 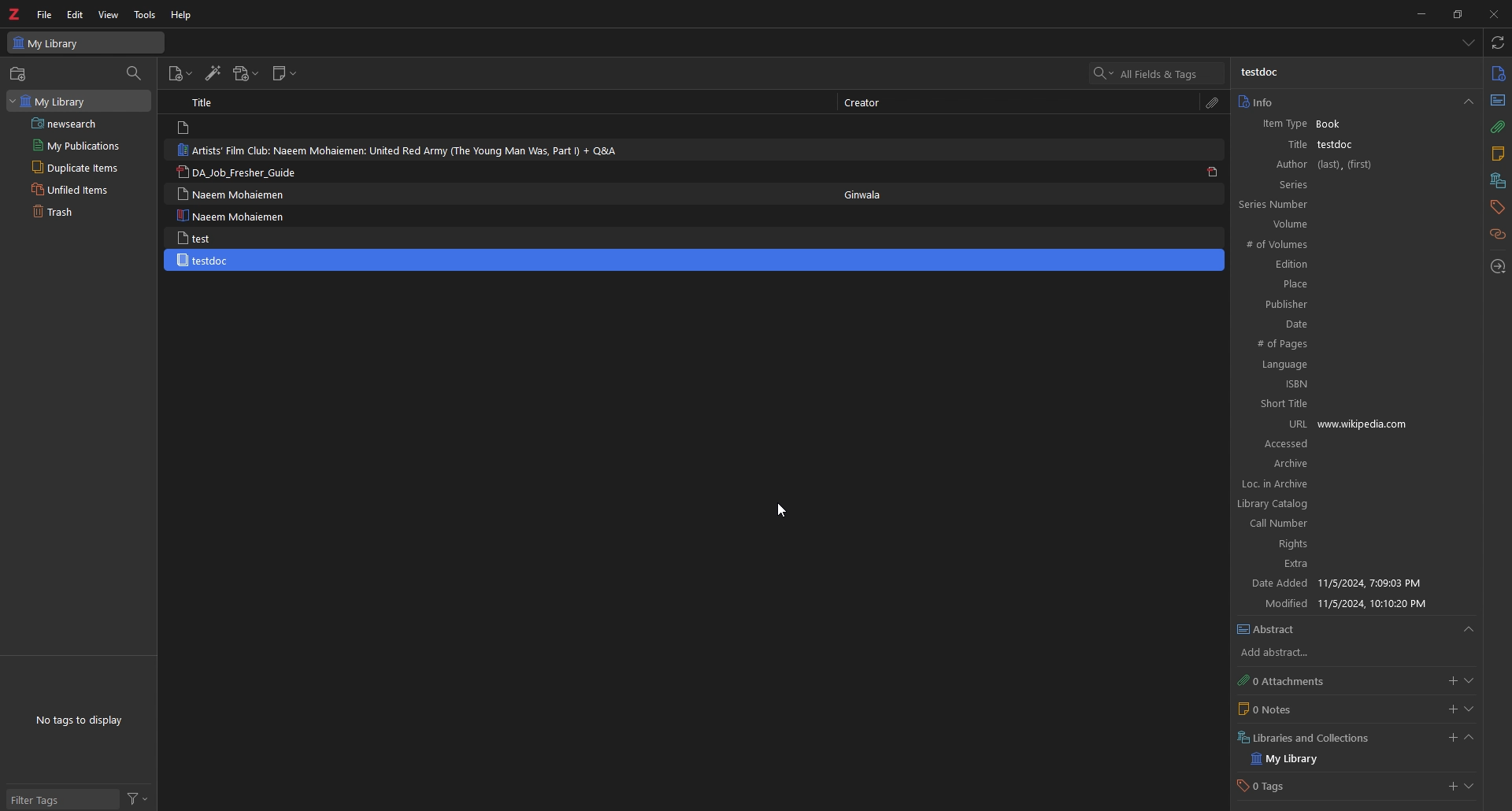 I want to click on help, so click(x=182, y=16).